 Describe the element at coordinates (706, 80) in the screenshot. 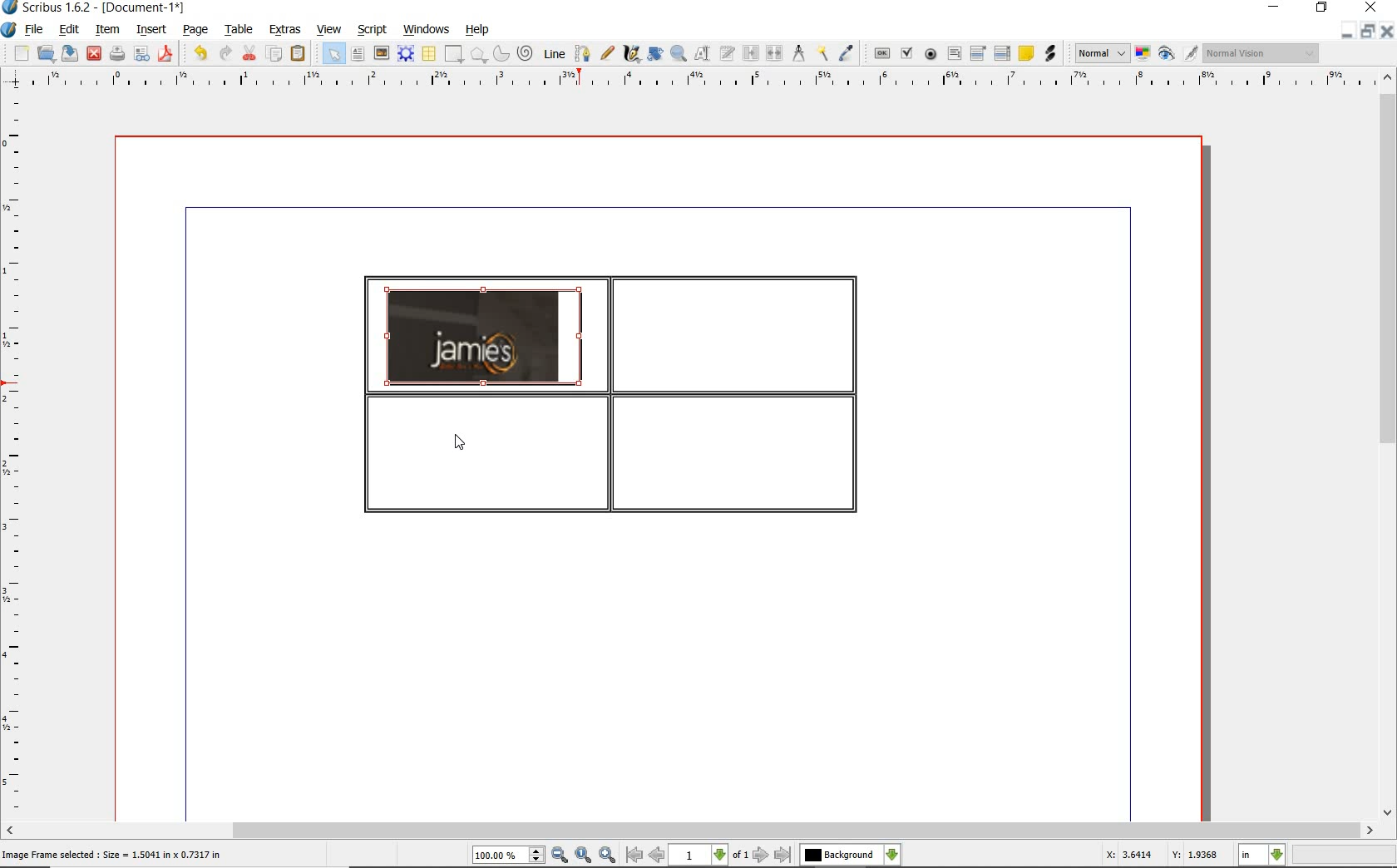

I see `ruler` at that location.